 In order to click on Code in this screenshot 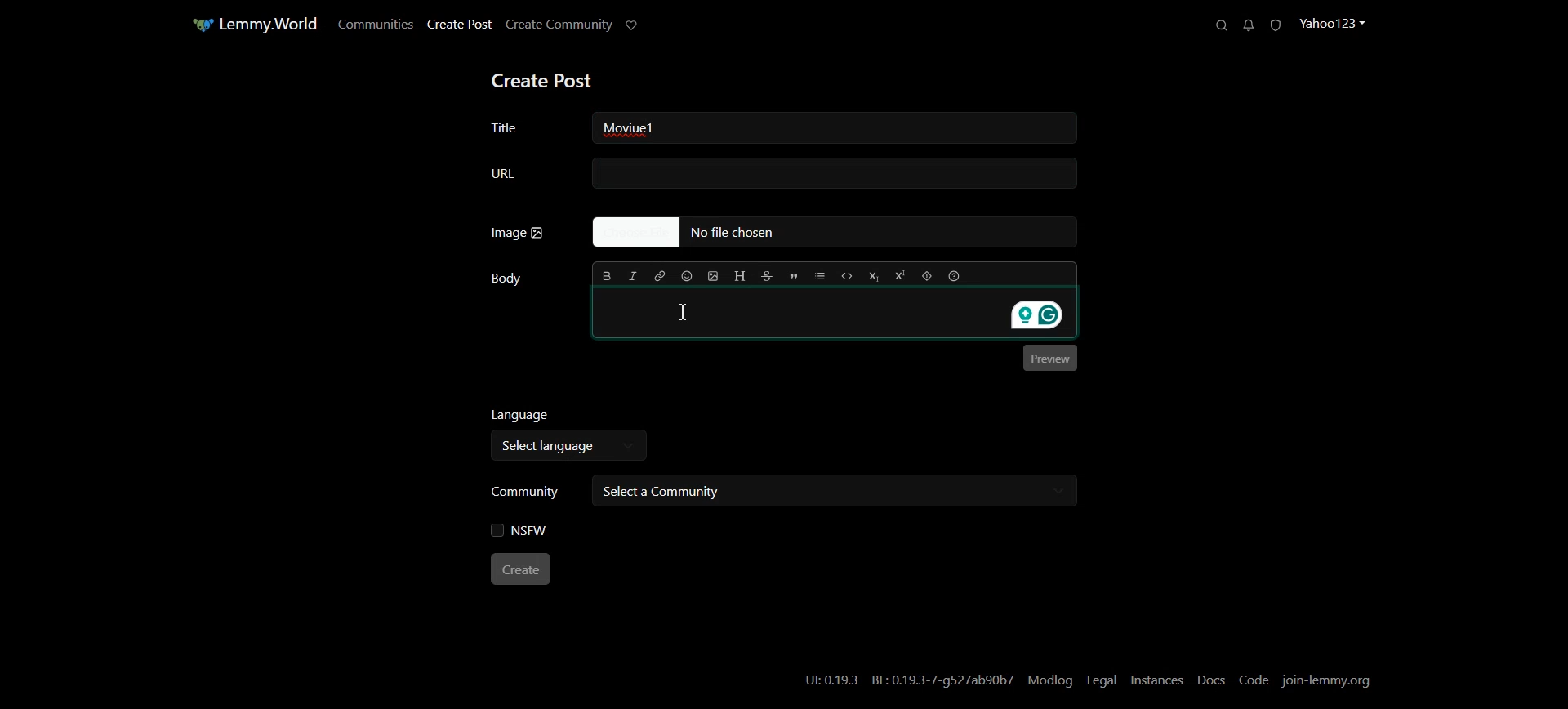, I will do `click(848, 275)`.